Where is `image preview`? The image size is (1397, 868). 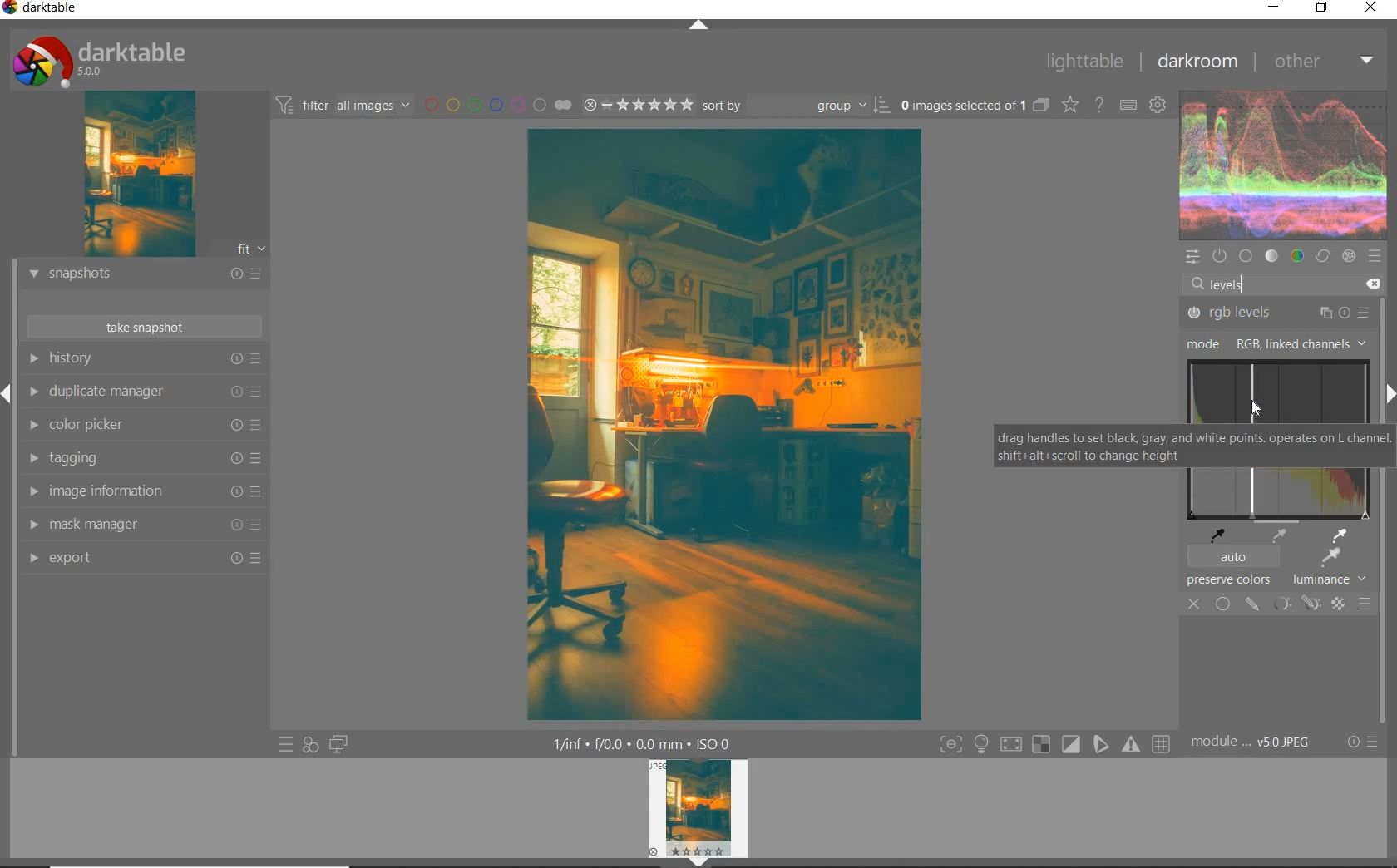 image preview is located at coordinates (136, 177).